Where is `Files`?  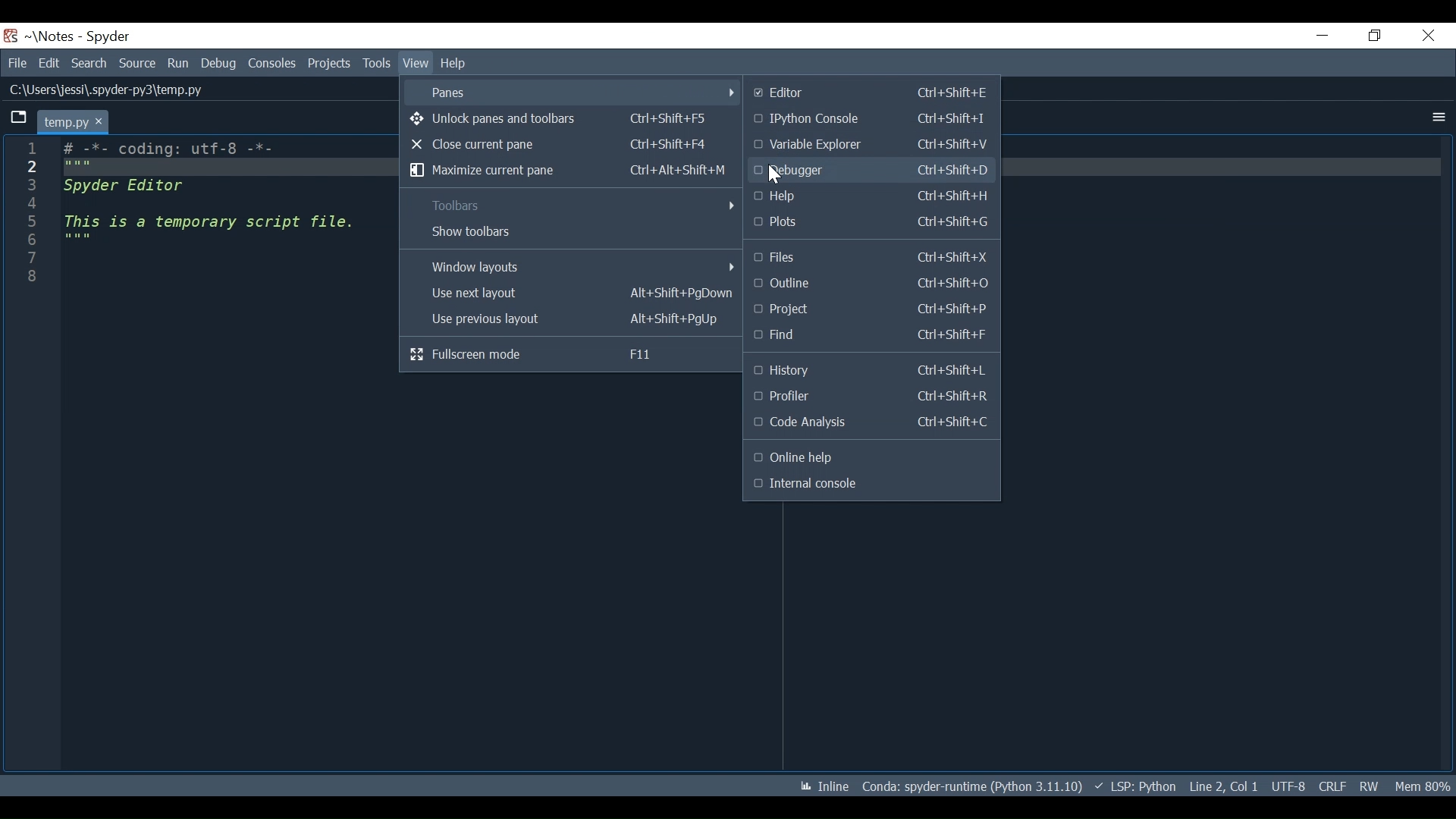 Files is located at coordinates (868, 258).